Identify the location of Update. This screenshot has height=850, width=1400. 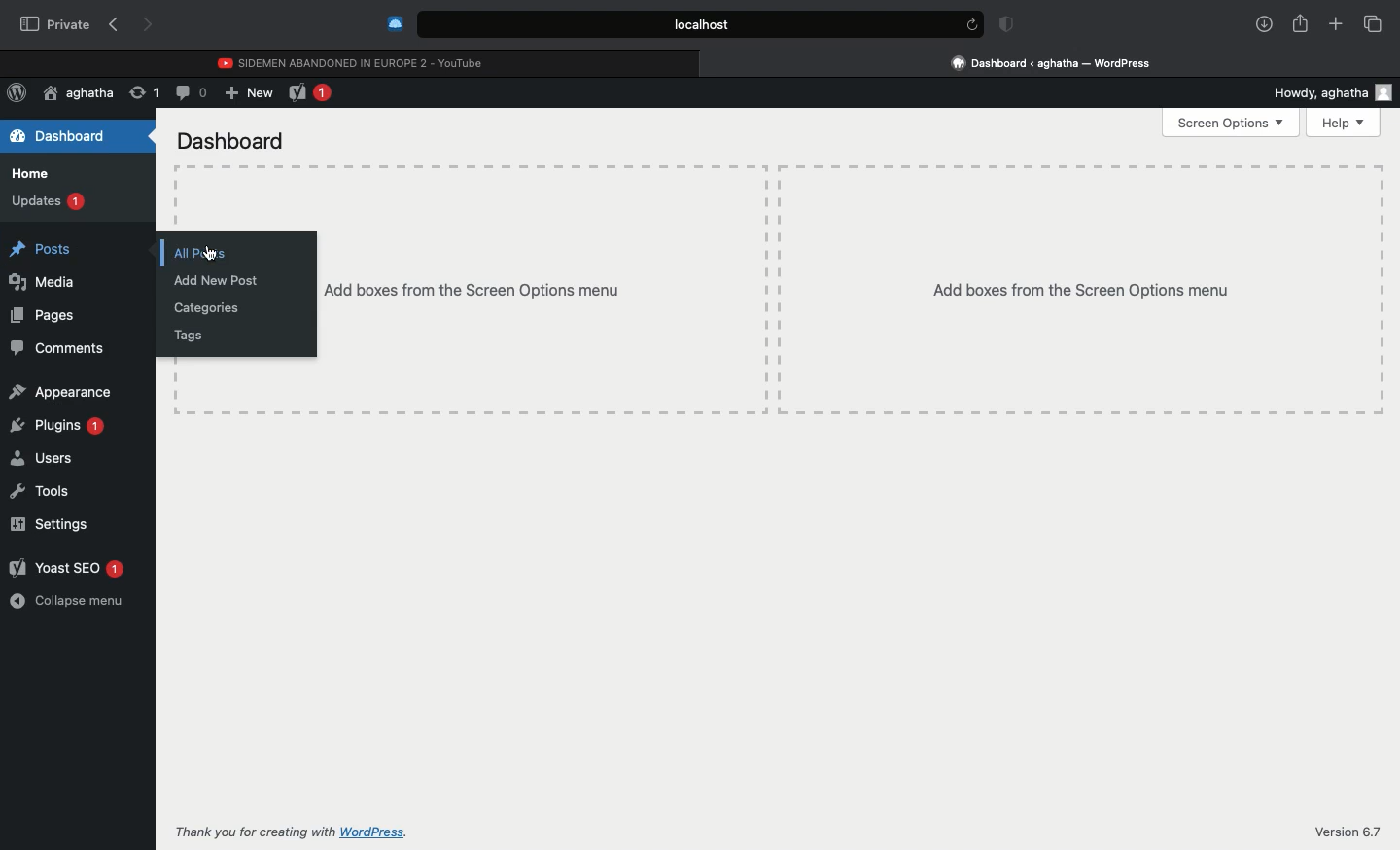
(142, 91).